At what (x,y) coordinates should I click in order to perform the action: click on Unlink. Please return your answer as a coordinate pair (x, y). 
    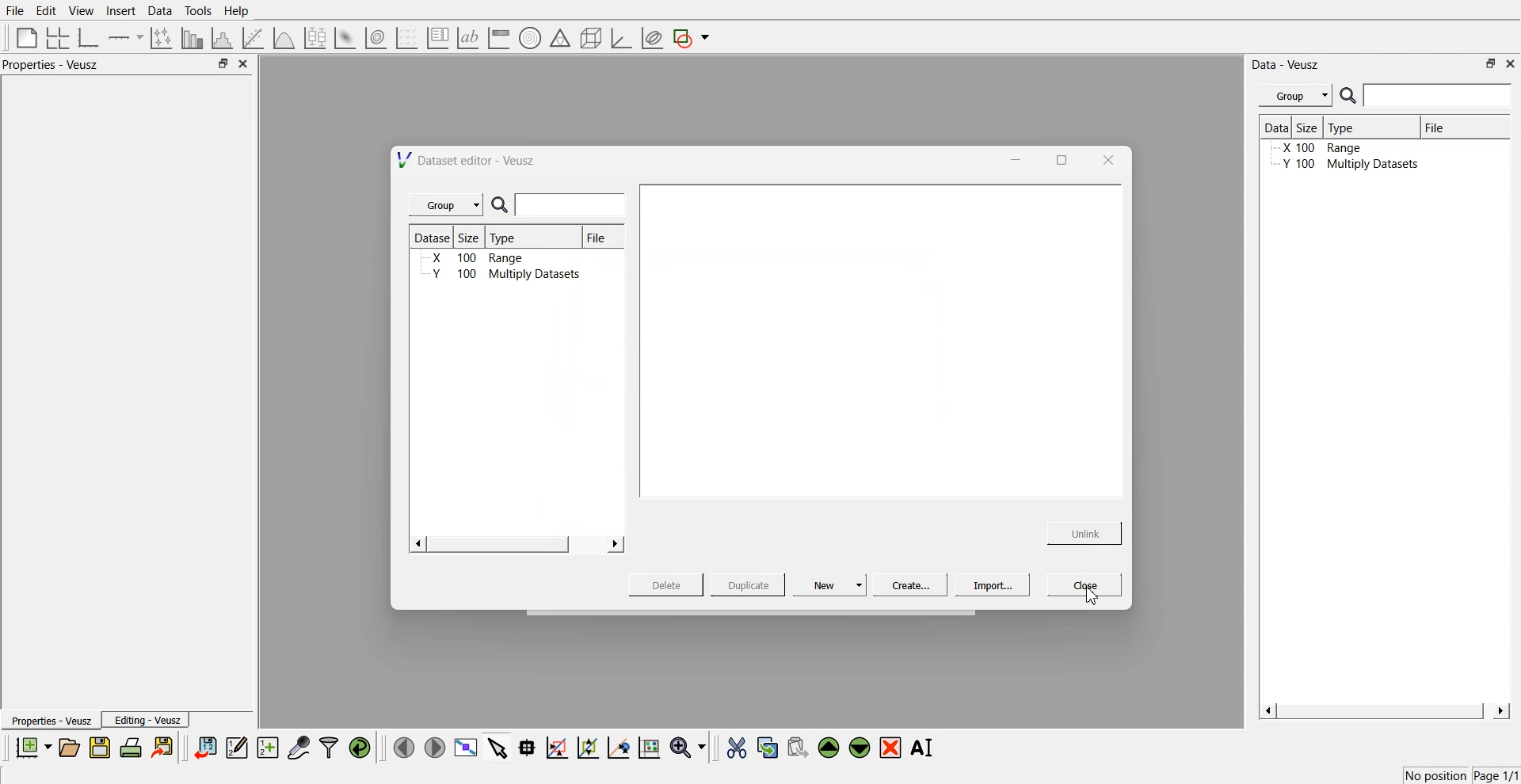
    Looking at the image, I should click on (1085, 531).